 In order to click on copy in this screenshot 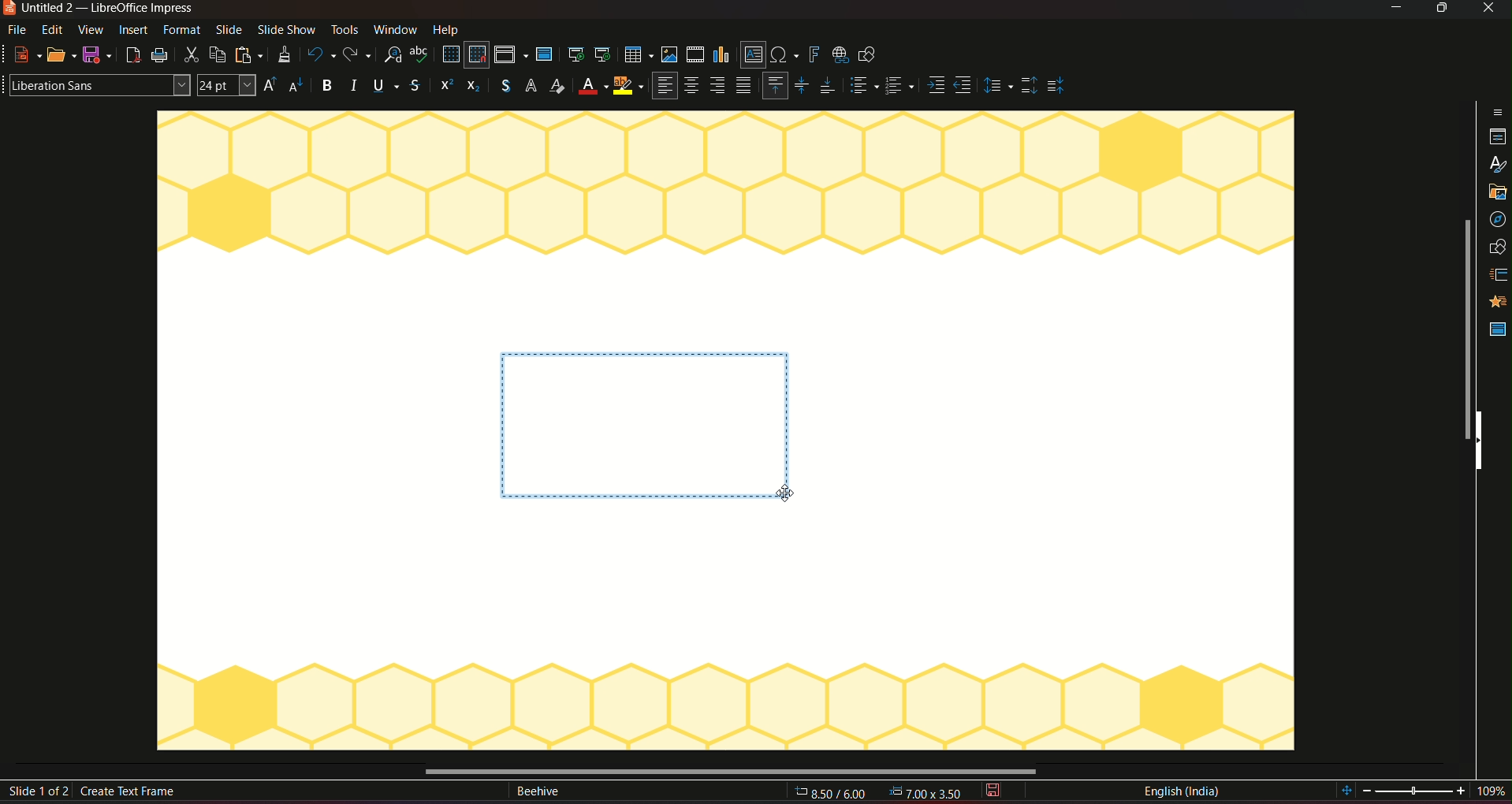, I will do `click(218, 54)`.